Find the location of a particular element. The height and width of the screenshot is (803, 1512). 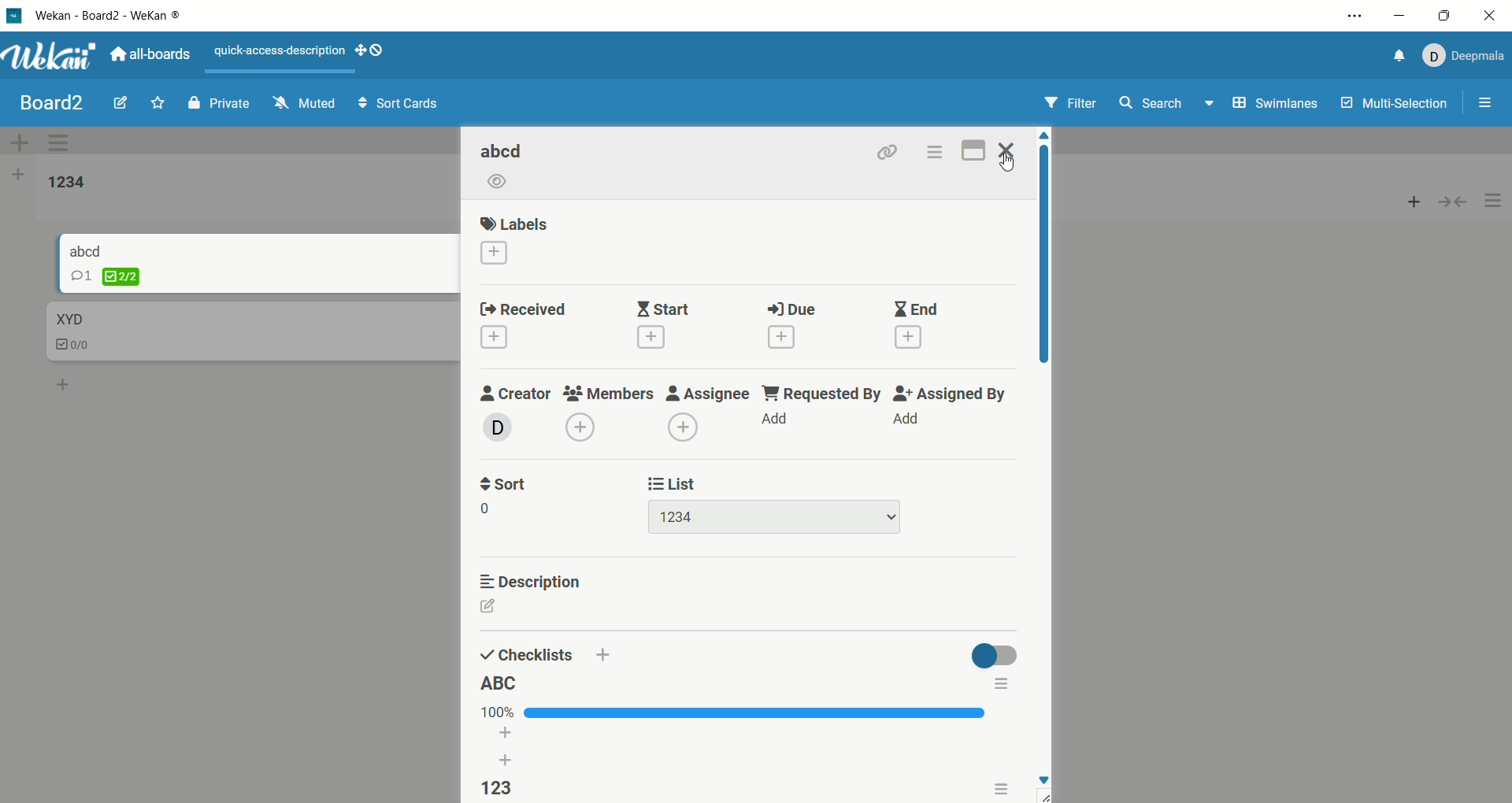

add is located at coordinates (1407, 202).